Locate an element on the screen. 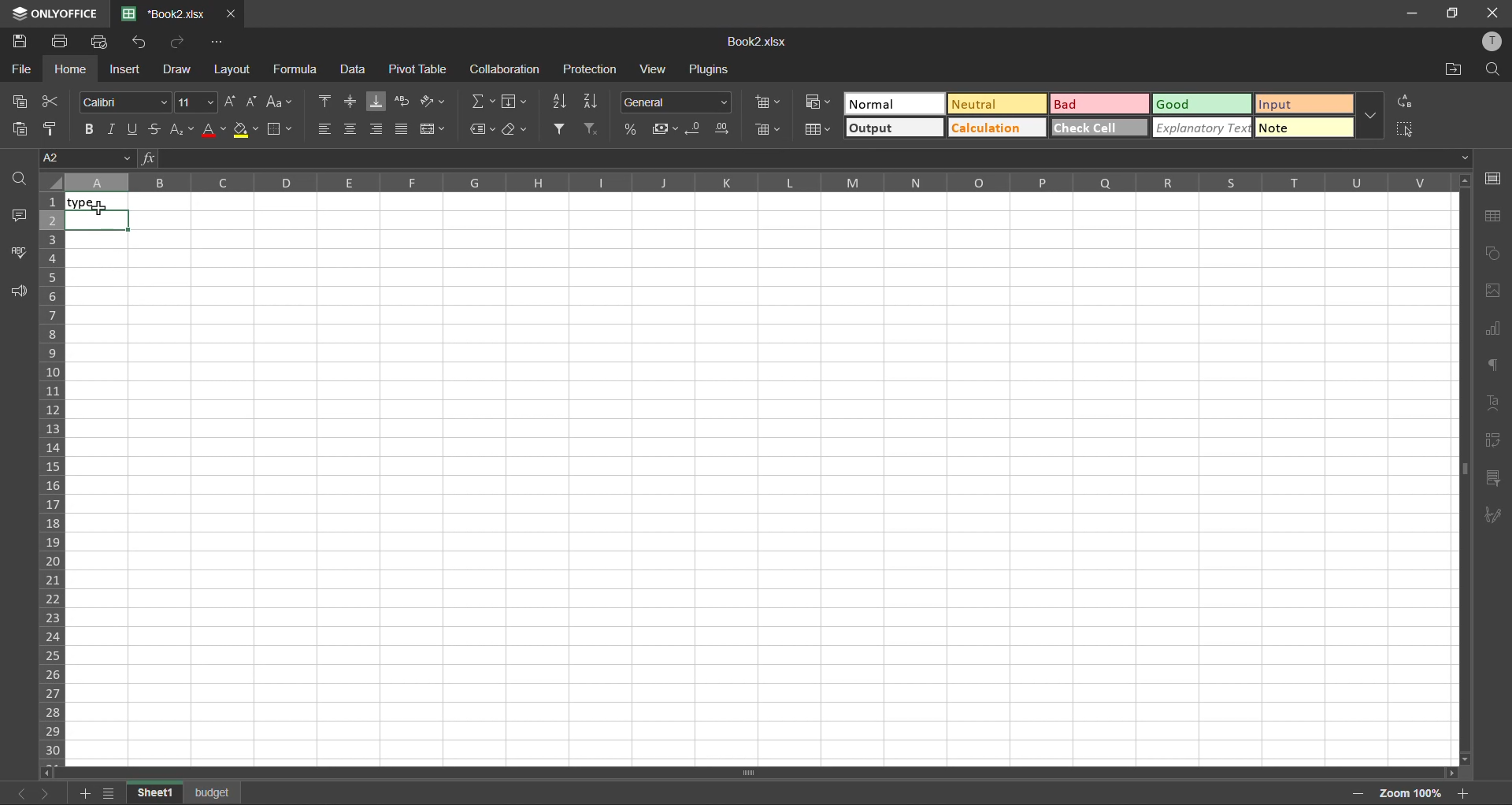 Image resolution: width=1512 pixels, height=805 pixels. check all is located at coordinates (1100, 127).